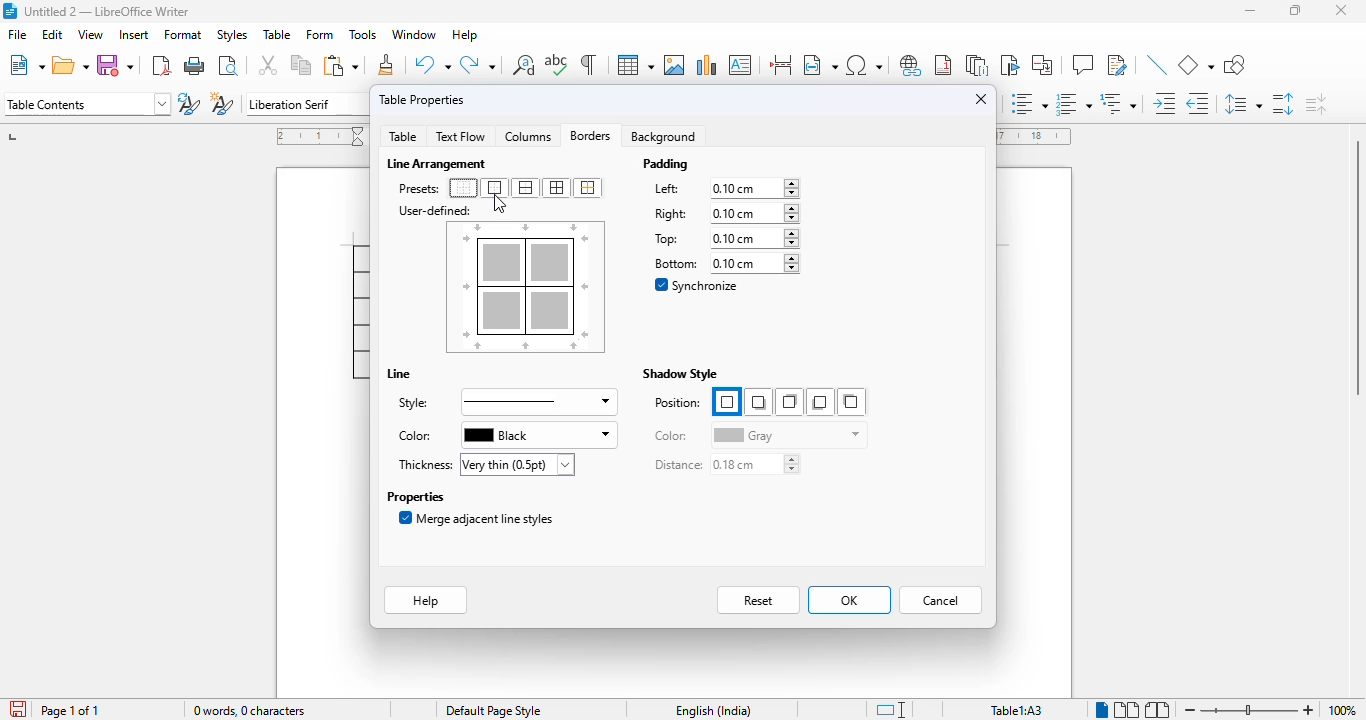  Describe the element at coordinates (1042, 64) in the screenshot. I see `insert cross-reference` at that location.